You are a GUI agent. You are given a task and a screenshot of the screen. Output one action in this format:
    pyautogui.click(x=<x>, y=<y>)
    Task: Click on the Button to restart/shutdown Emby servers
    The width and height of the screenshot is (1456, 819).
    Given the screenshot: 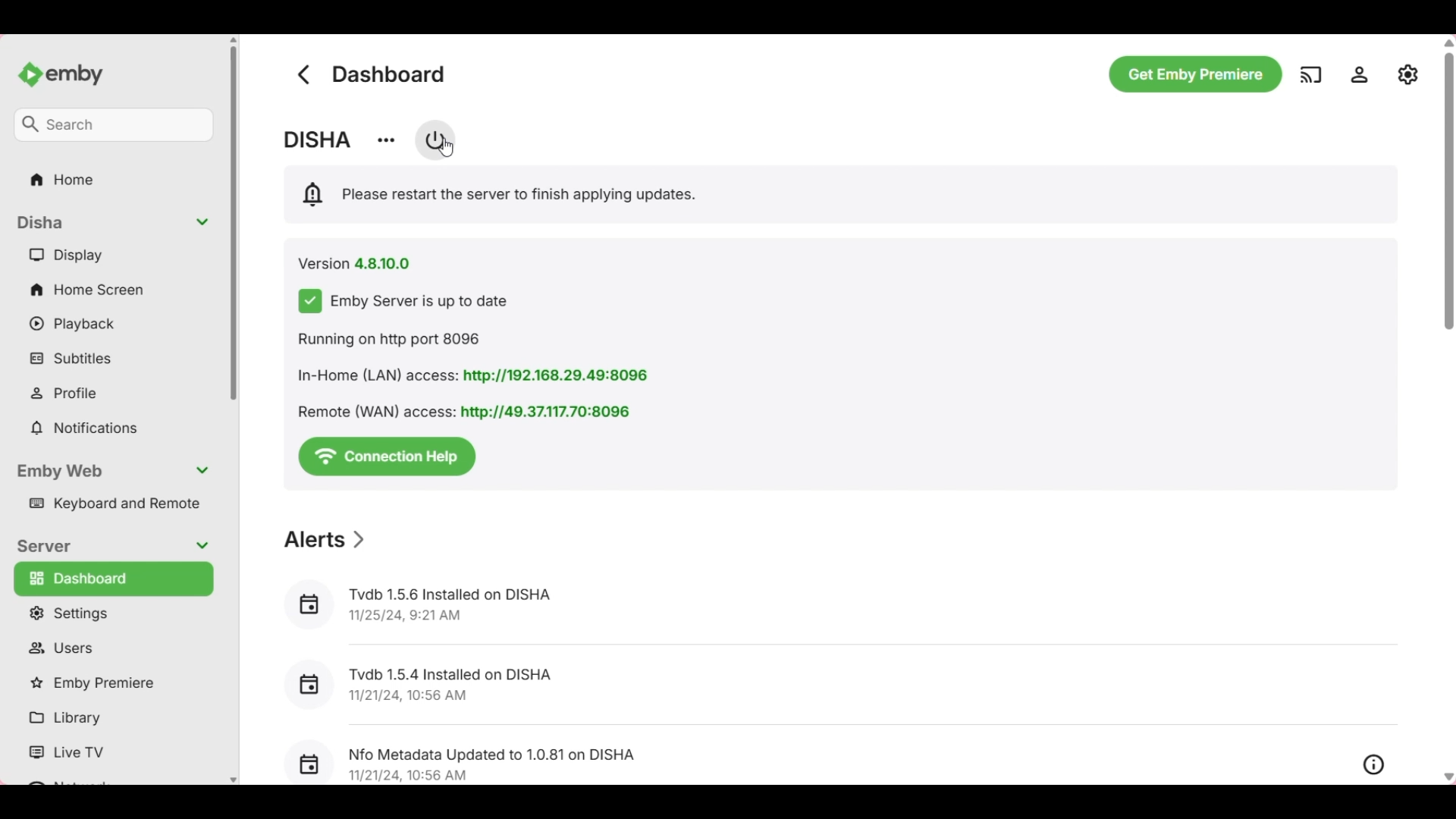 What is the action you would take?
    pyautogui.click(x=436, y=140)
    